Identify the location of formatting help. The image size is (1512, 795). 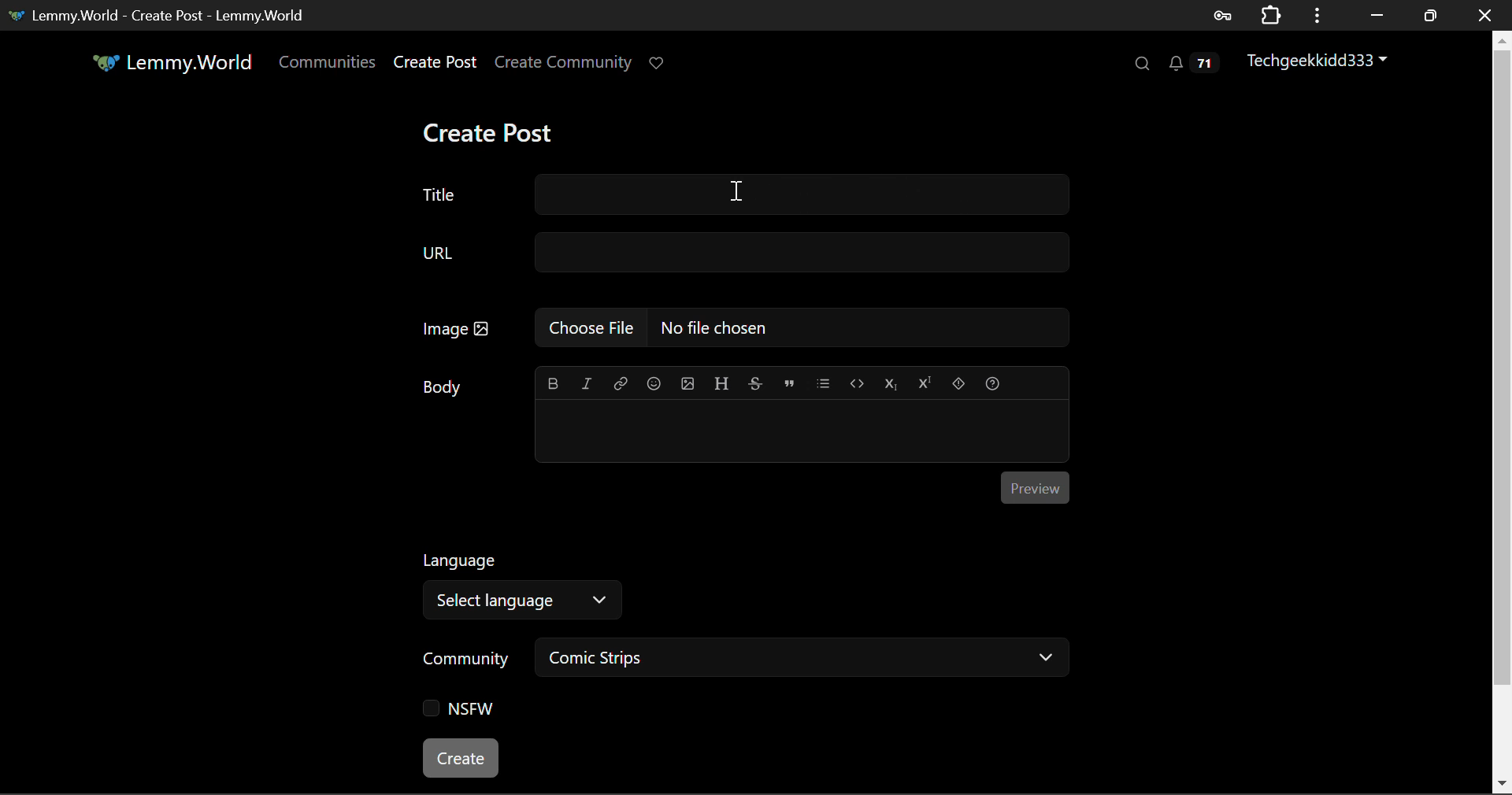
(992, 383).